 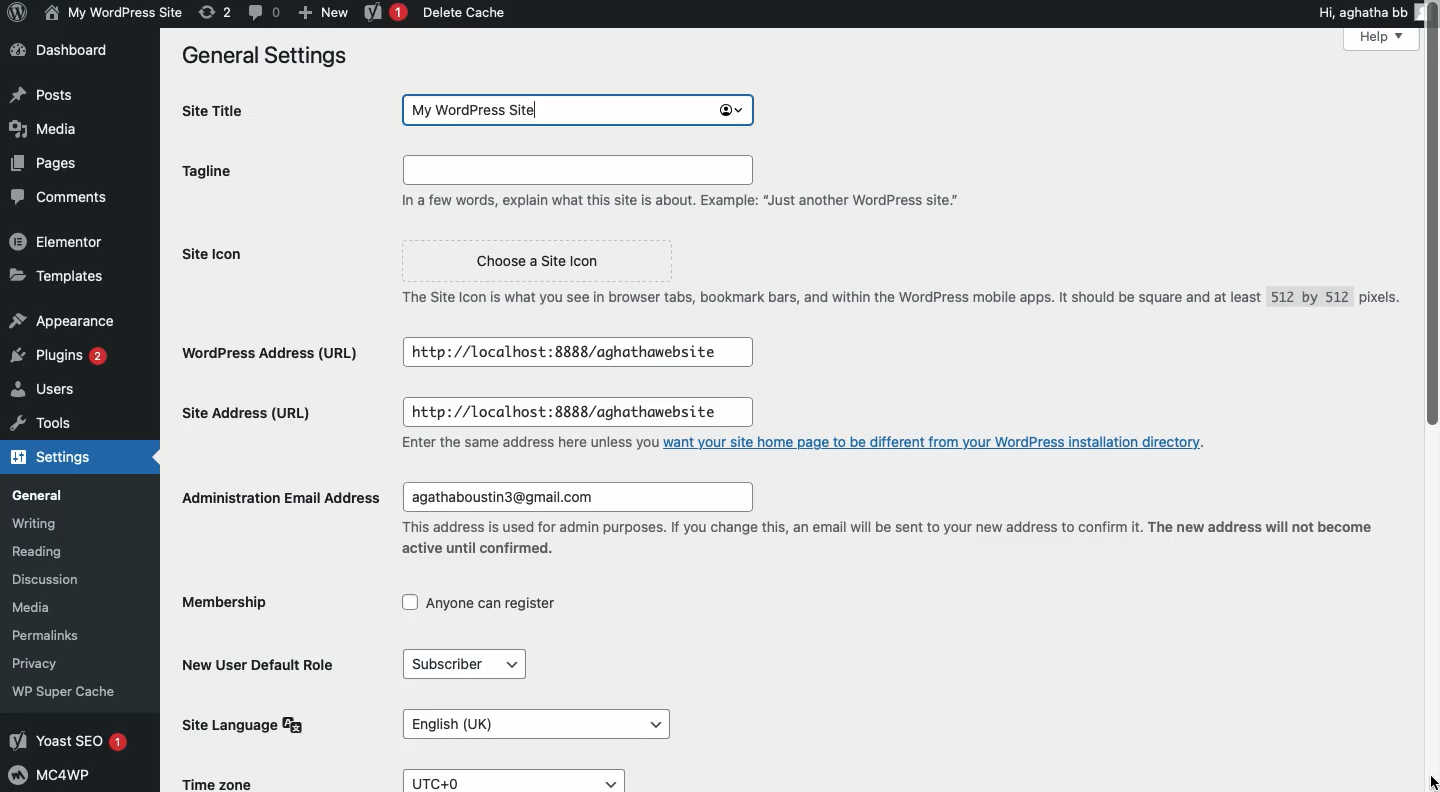 I want to click on My wordpress site, so click(x=111, y=14).